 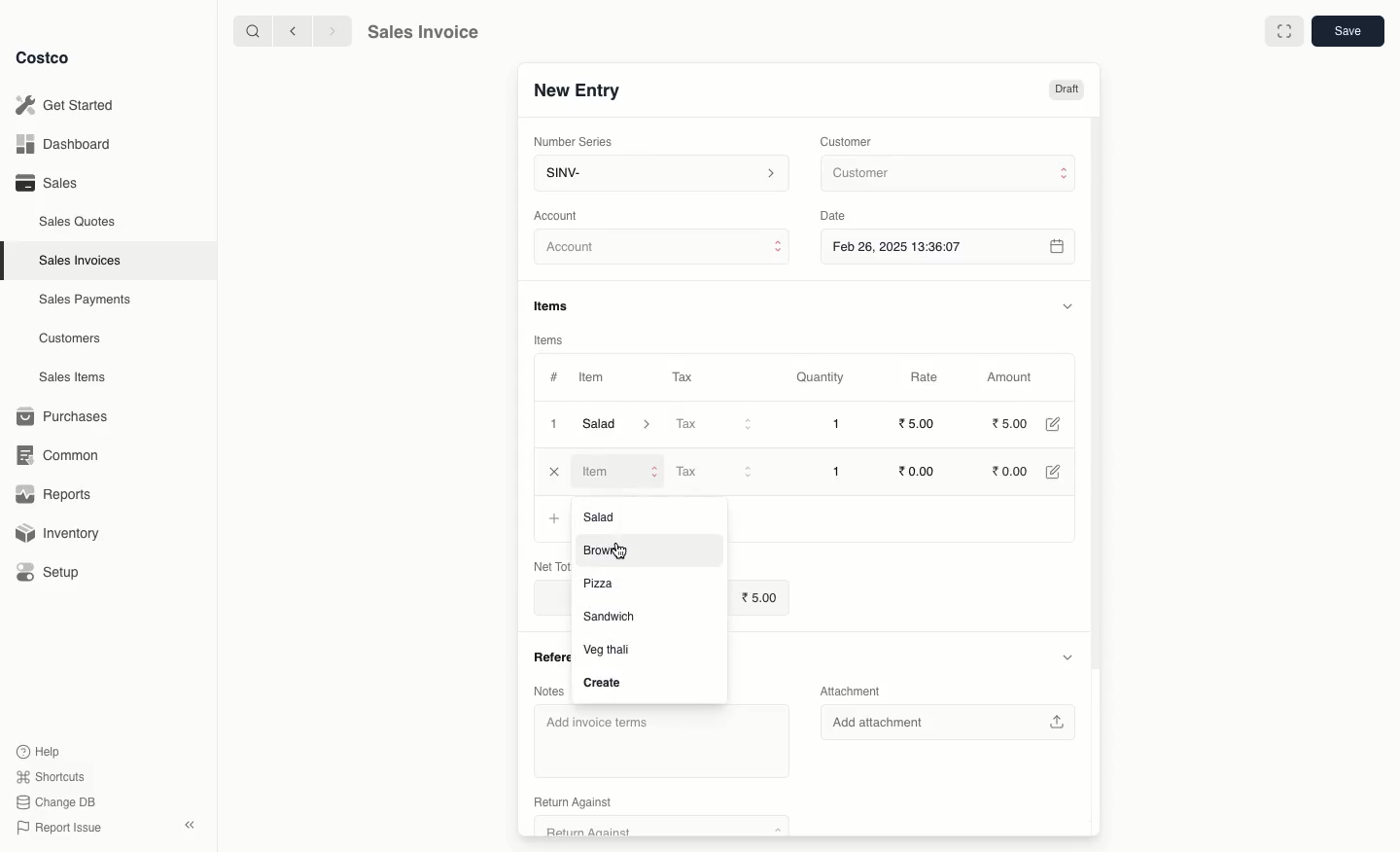 I want to click on Save, so click(x=1350, y=33).